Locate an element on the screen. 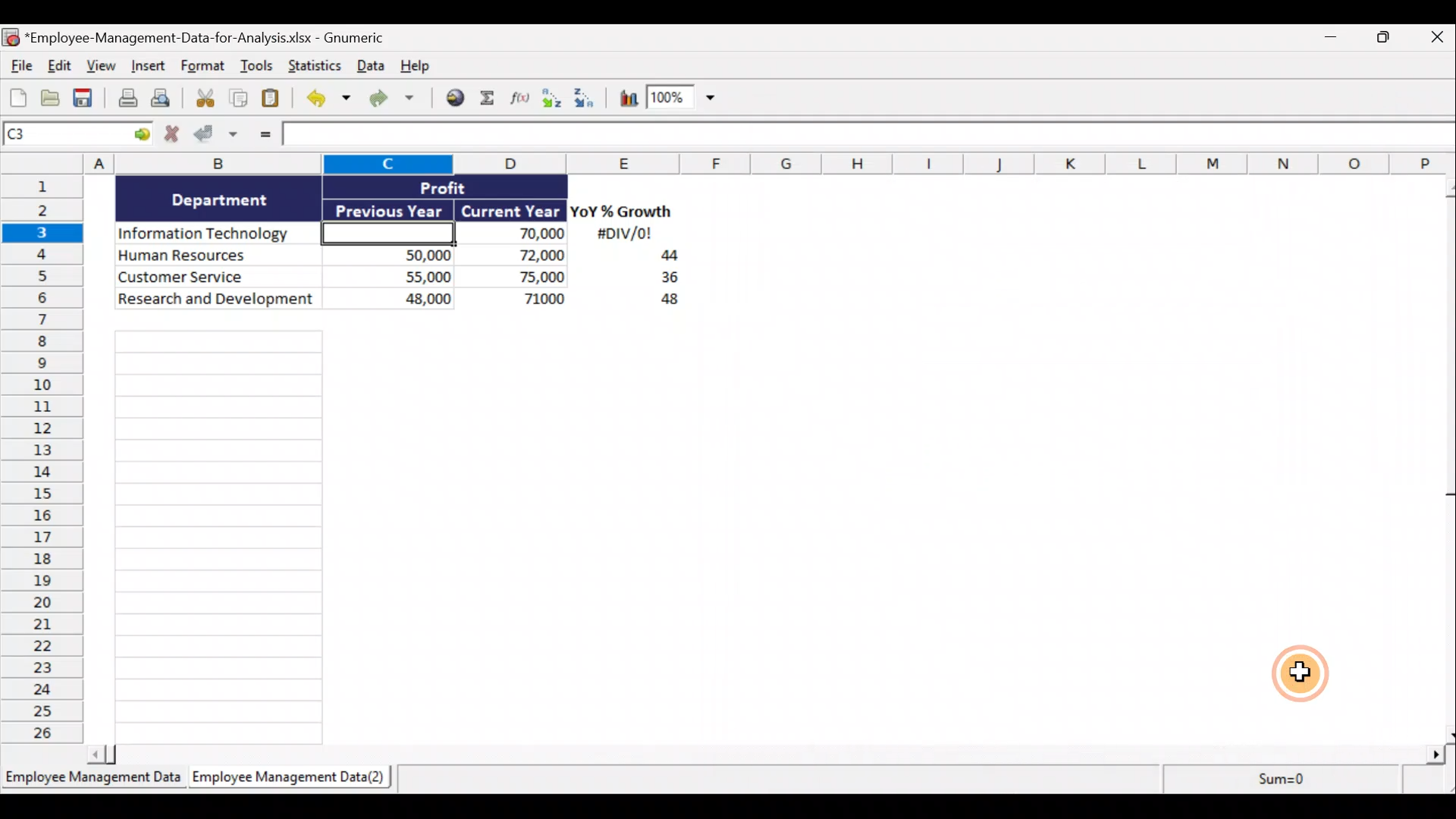  Edit is located at coordinates (58, 67).